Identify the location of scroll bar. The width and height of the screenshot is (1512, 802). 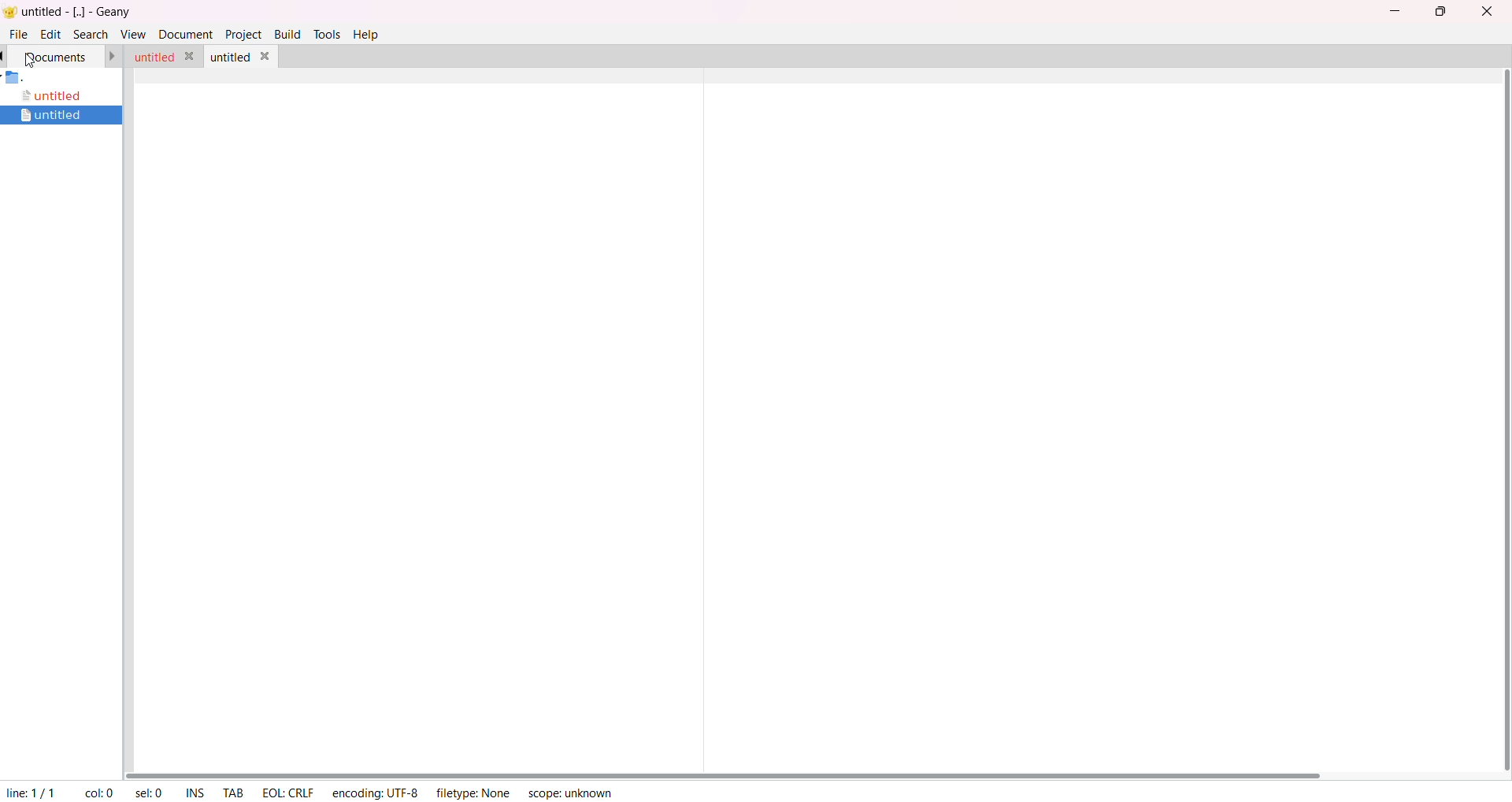
(728, 774).